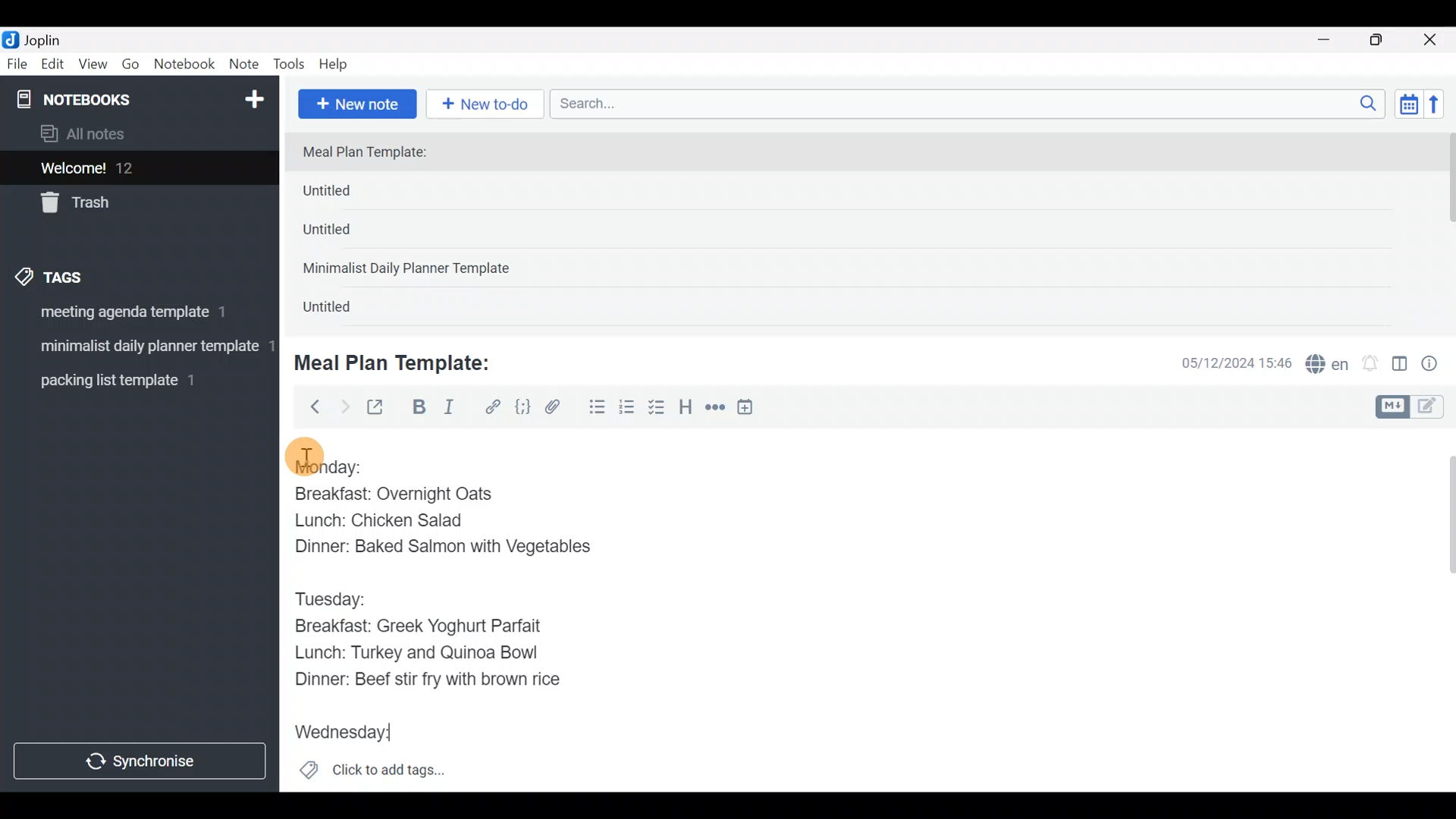  I want to click on Tags, so click(85, 275).